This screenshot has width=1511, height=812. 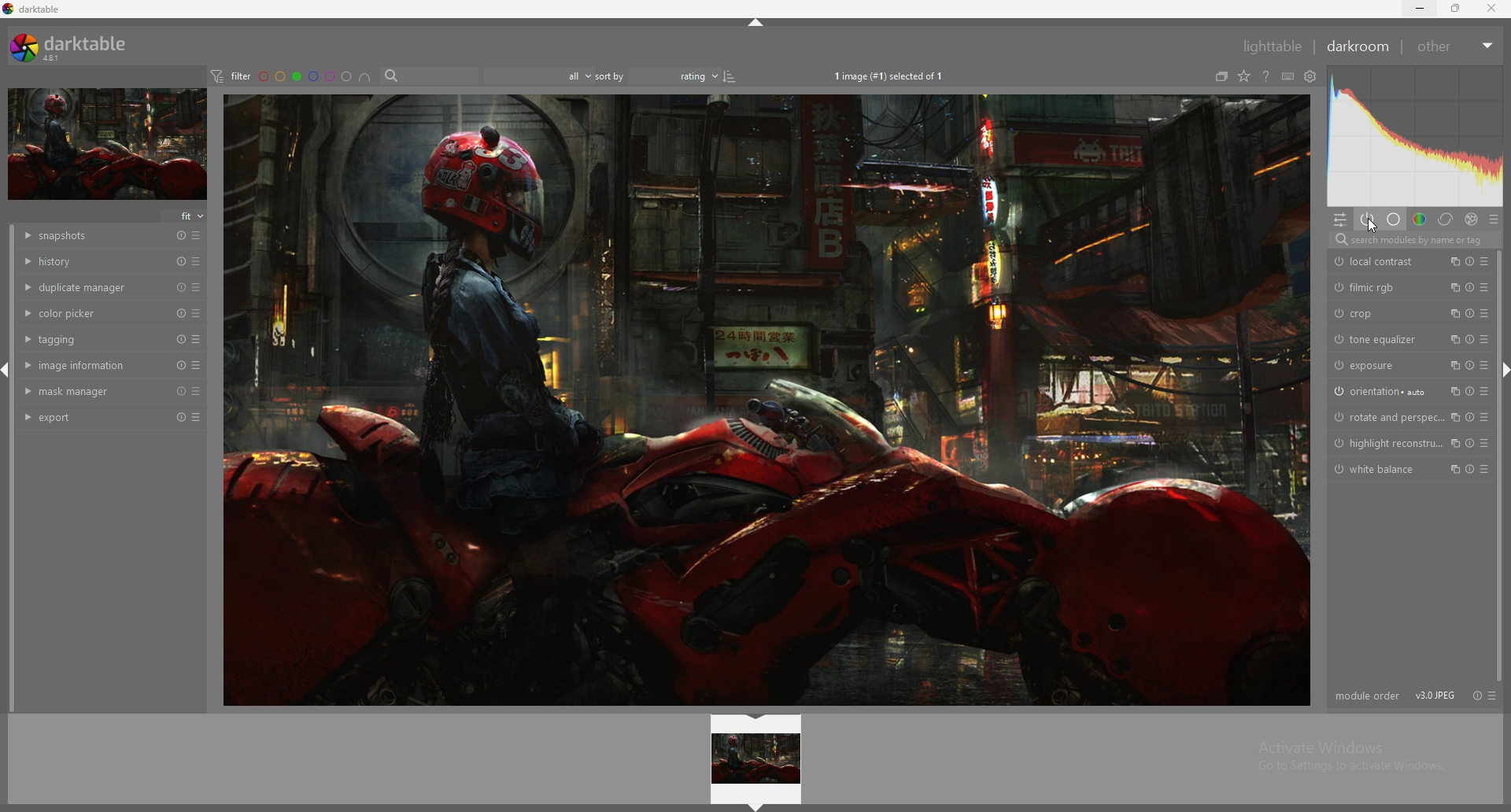 I want to click on reset, so click(x=1468, y=365).